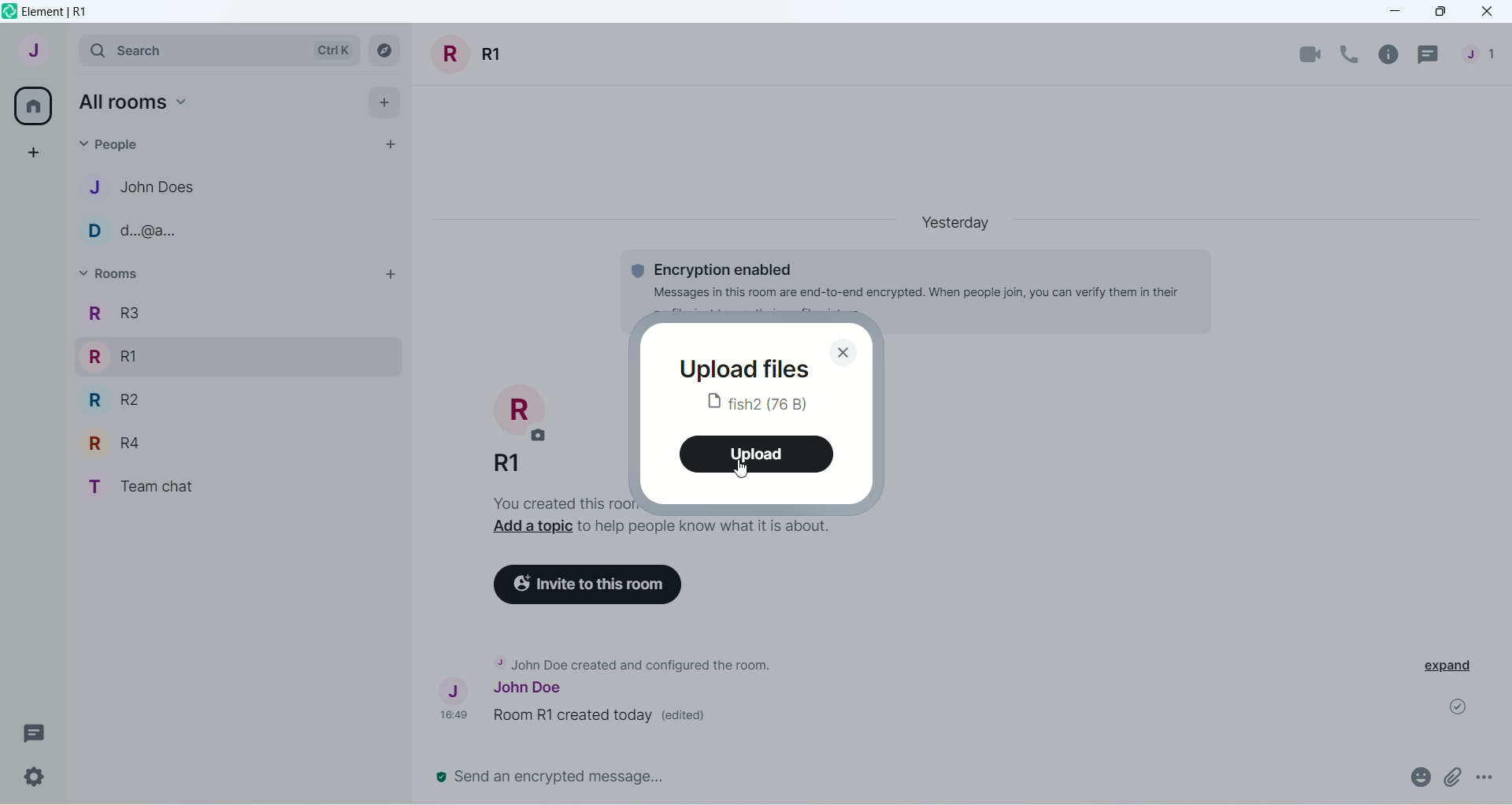  What do you see at coordinates (131, 233) in the screenshot?
I see `D d..@a..` at bounding box center [131, 233].